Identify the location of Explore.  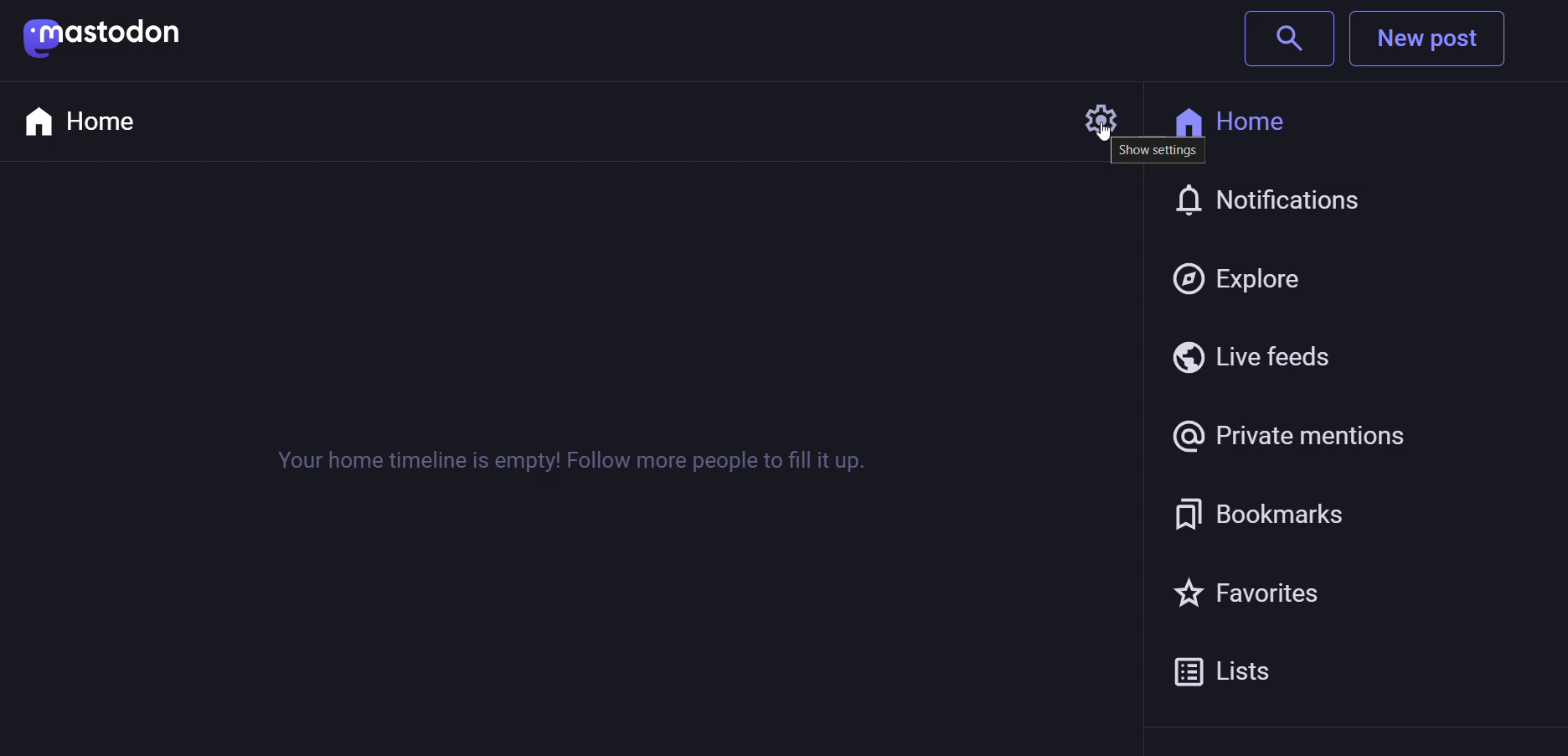
(1240, 282).